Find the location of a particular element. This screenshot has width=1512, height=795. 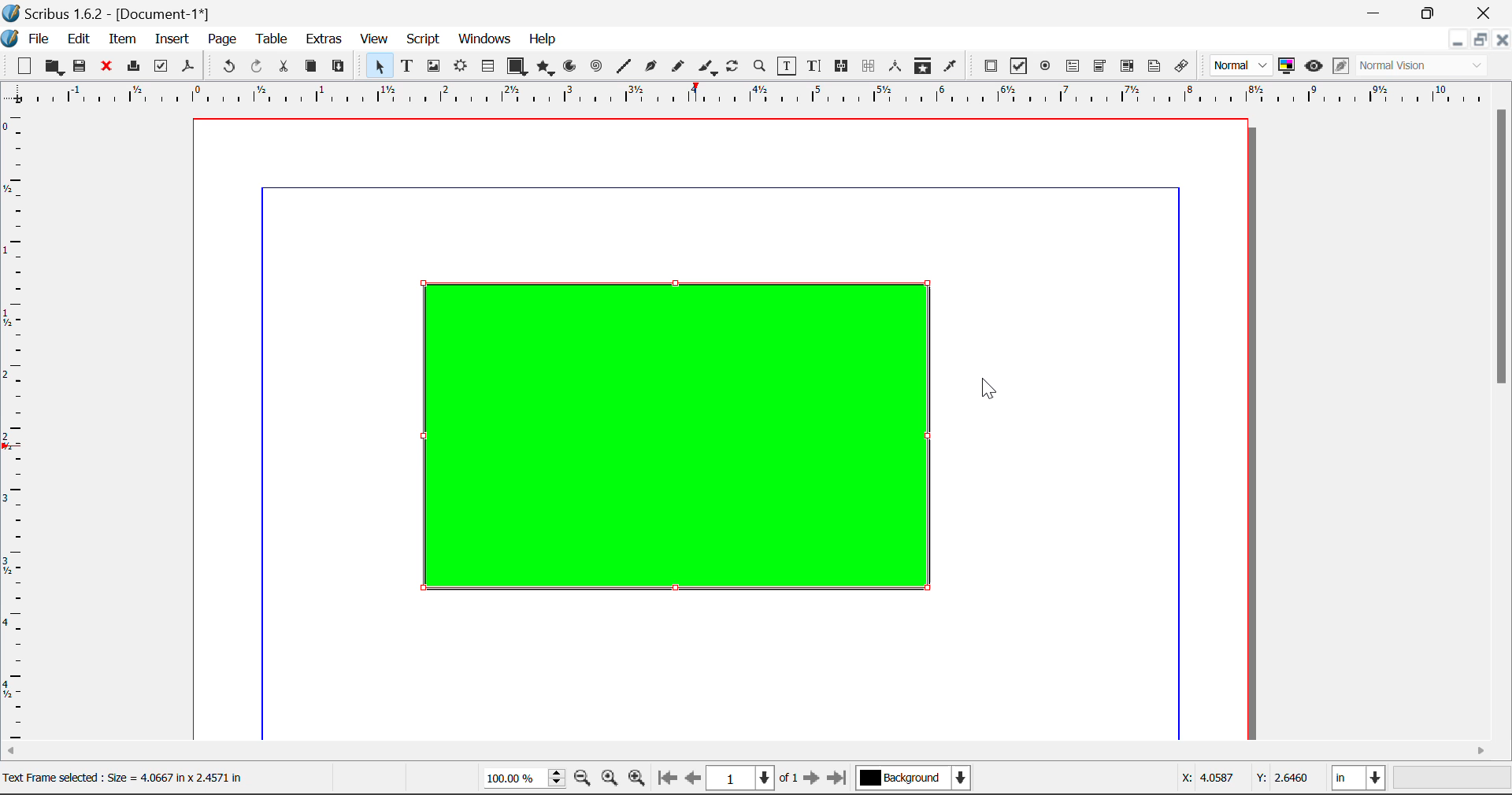

Cursor Coordinates is located at coordinates (1247, 780).